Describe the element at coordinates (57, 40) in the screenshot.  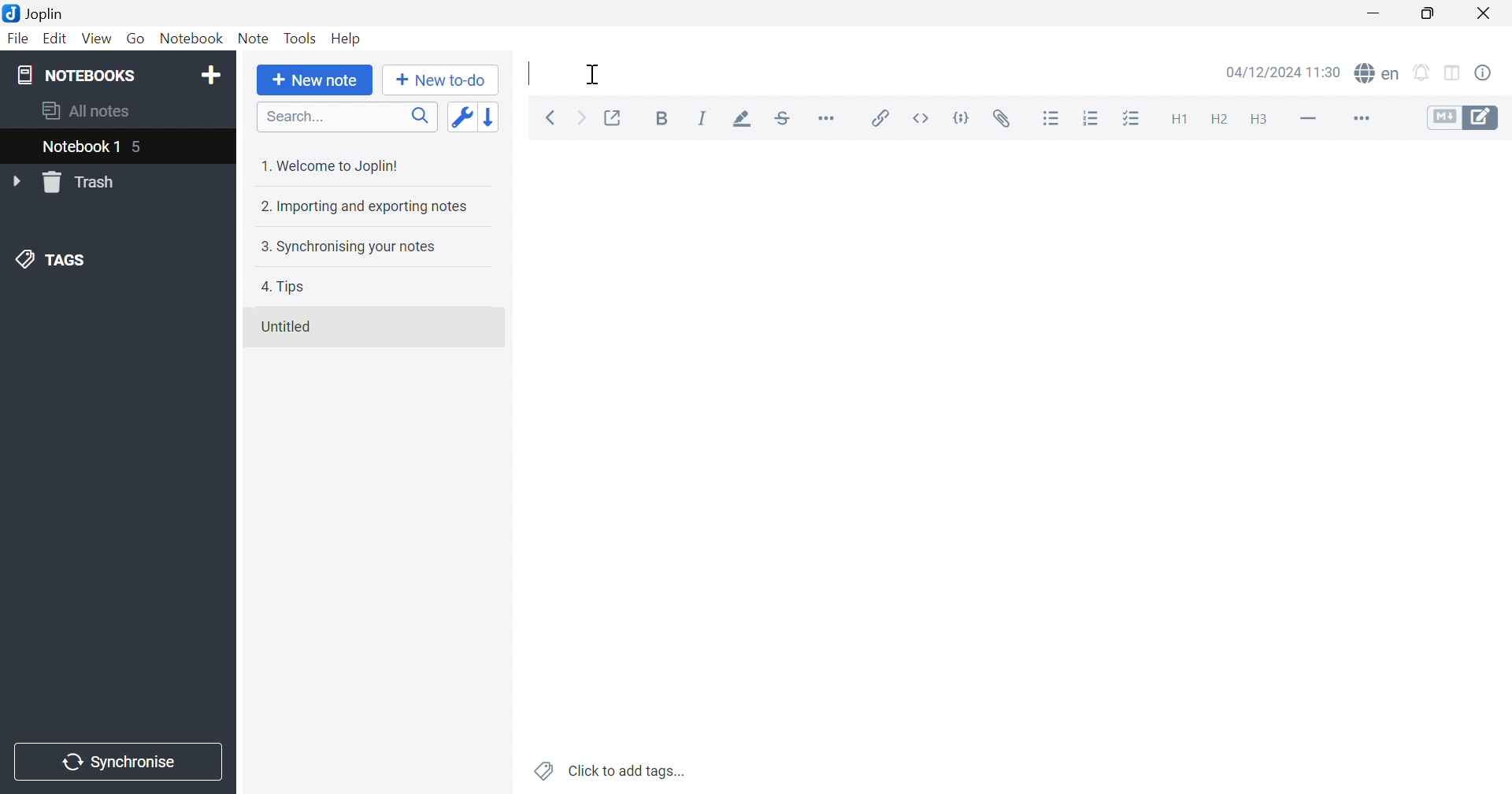
I see `Edit` at that location.